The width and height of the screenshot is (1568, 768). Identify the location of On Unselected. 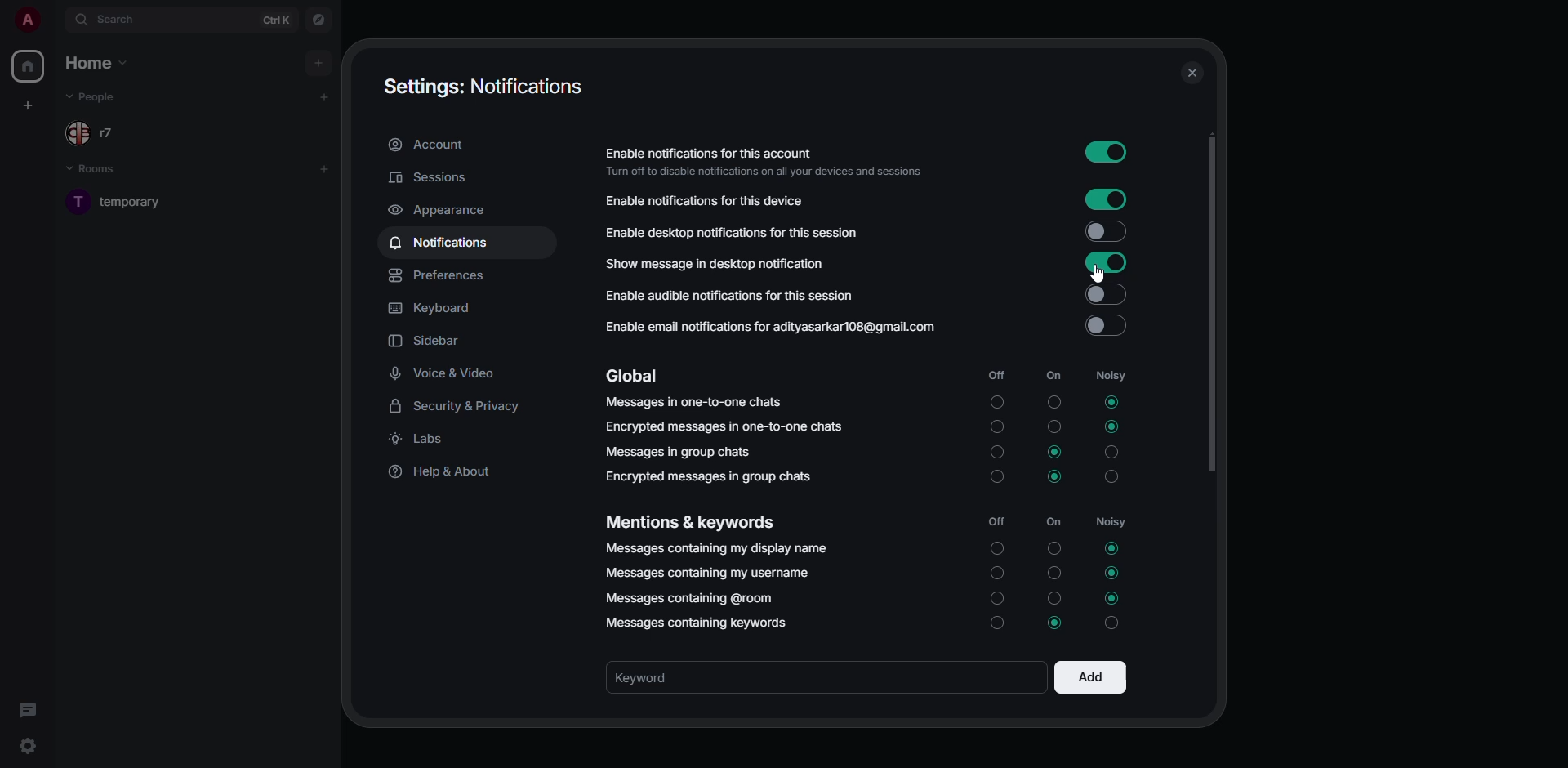
(1057, 426).